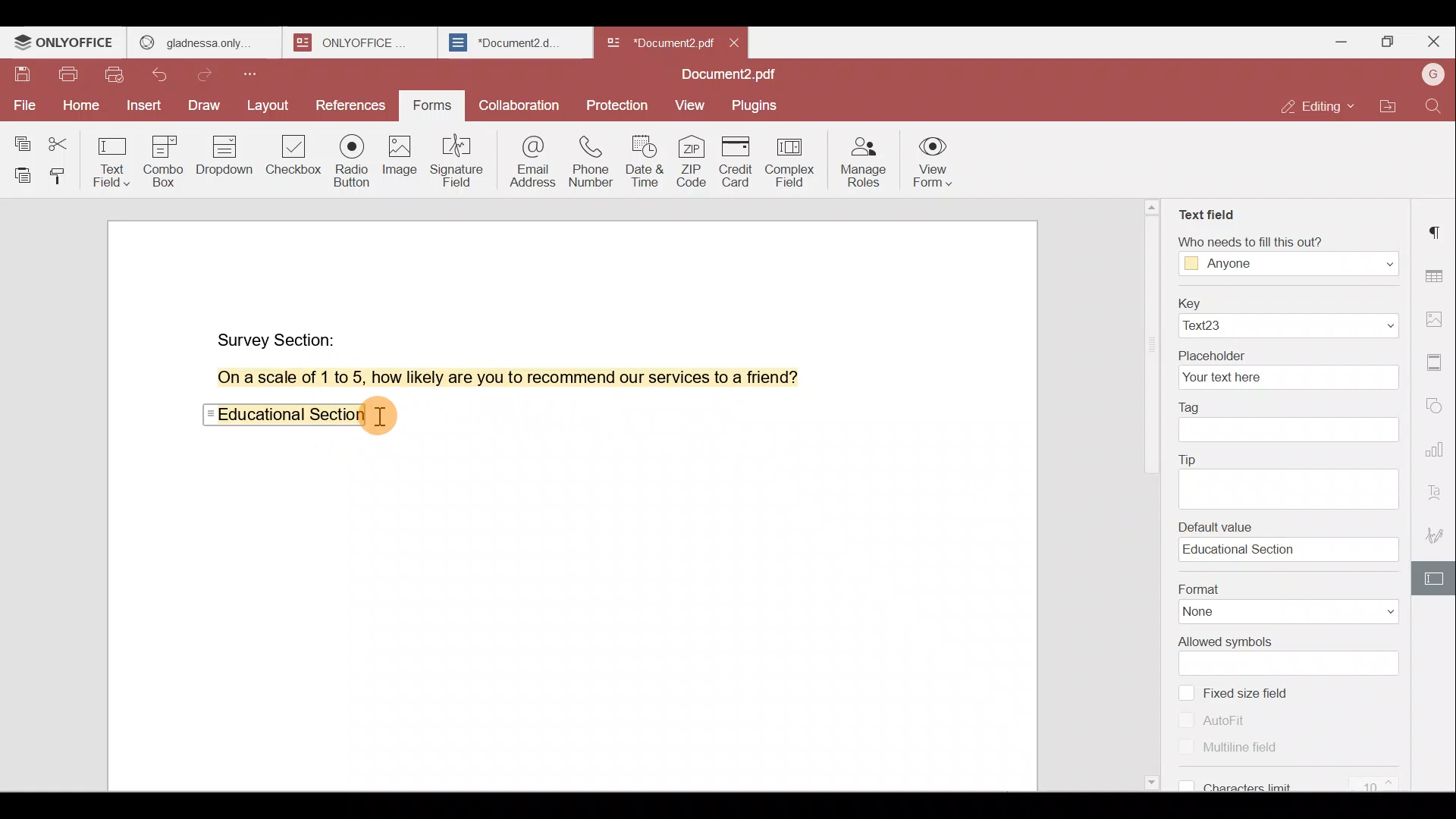 The width and height of the screenshot is (1456, 819). Describe the element at coordinates (620, 101) in the screenshot. I see `Protection` at that location.